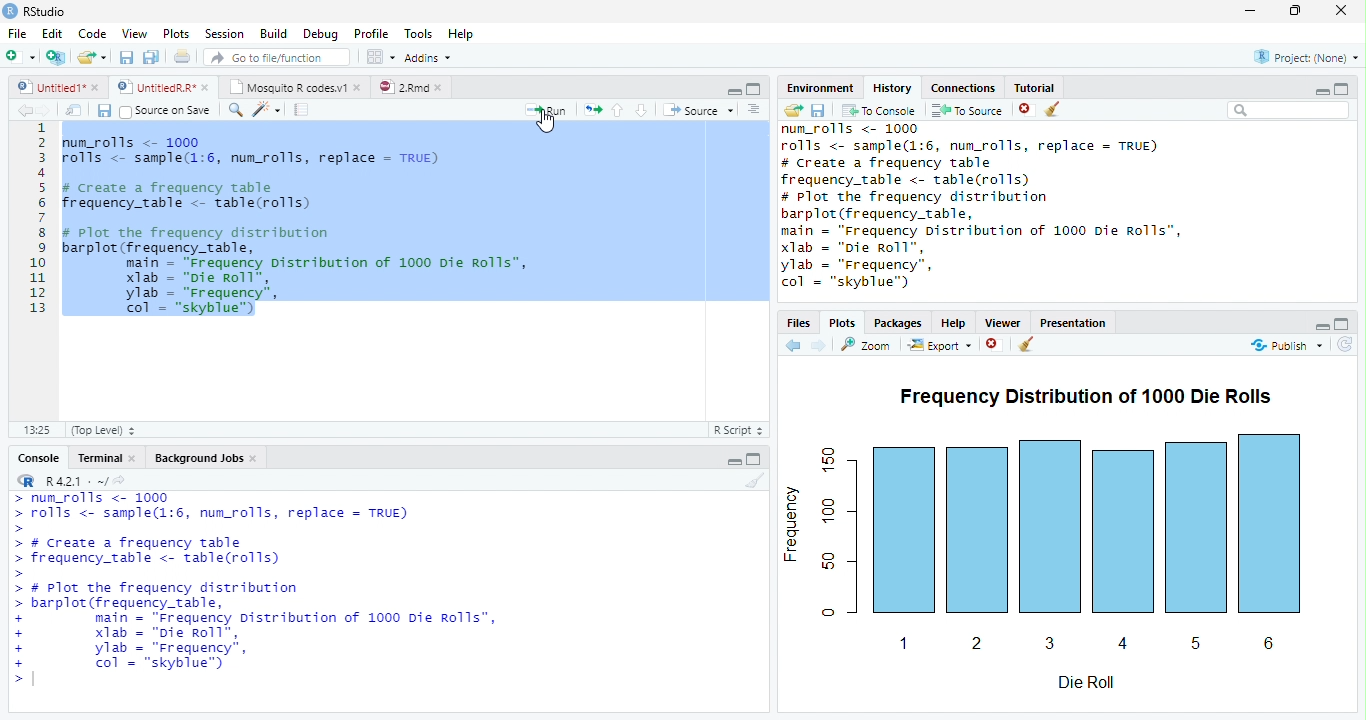 Image resolution: width=1366 pixels, height=720 pixels. Describe the element at coordinates (1073, 322) in the screenshot. I see `Presentation` at that location.